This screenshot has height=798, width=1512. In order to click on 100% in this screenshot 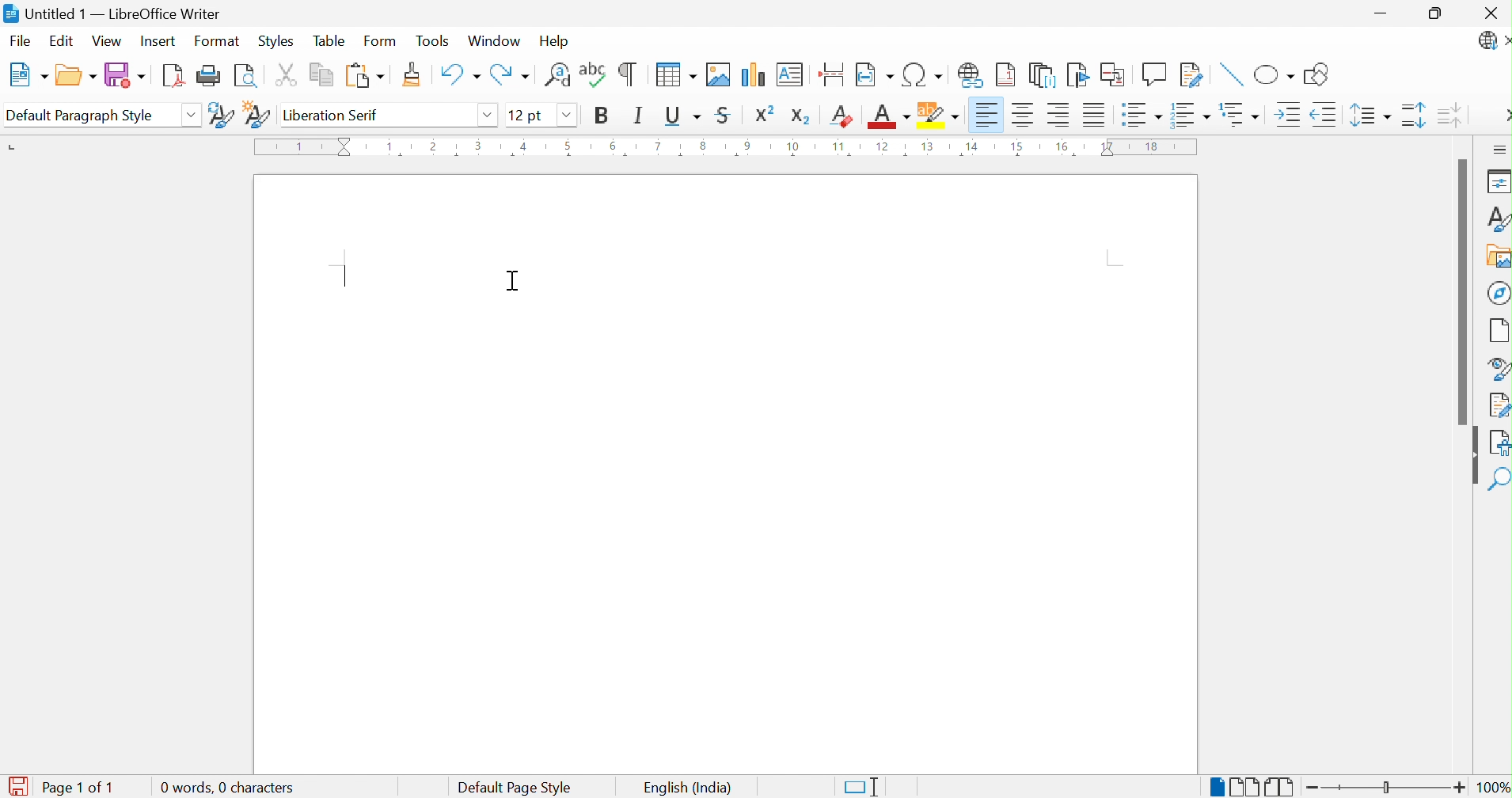, I will do `click(1493, 787)`.